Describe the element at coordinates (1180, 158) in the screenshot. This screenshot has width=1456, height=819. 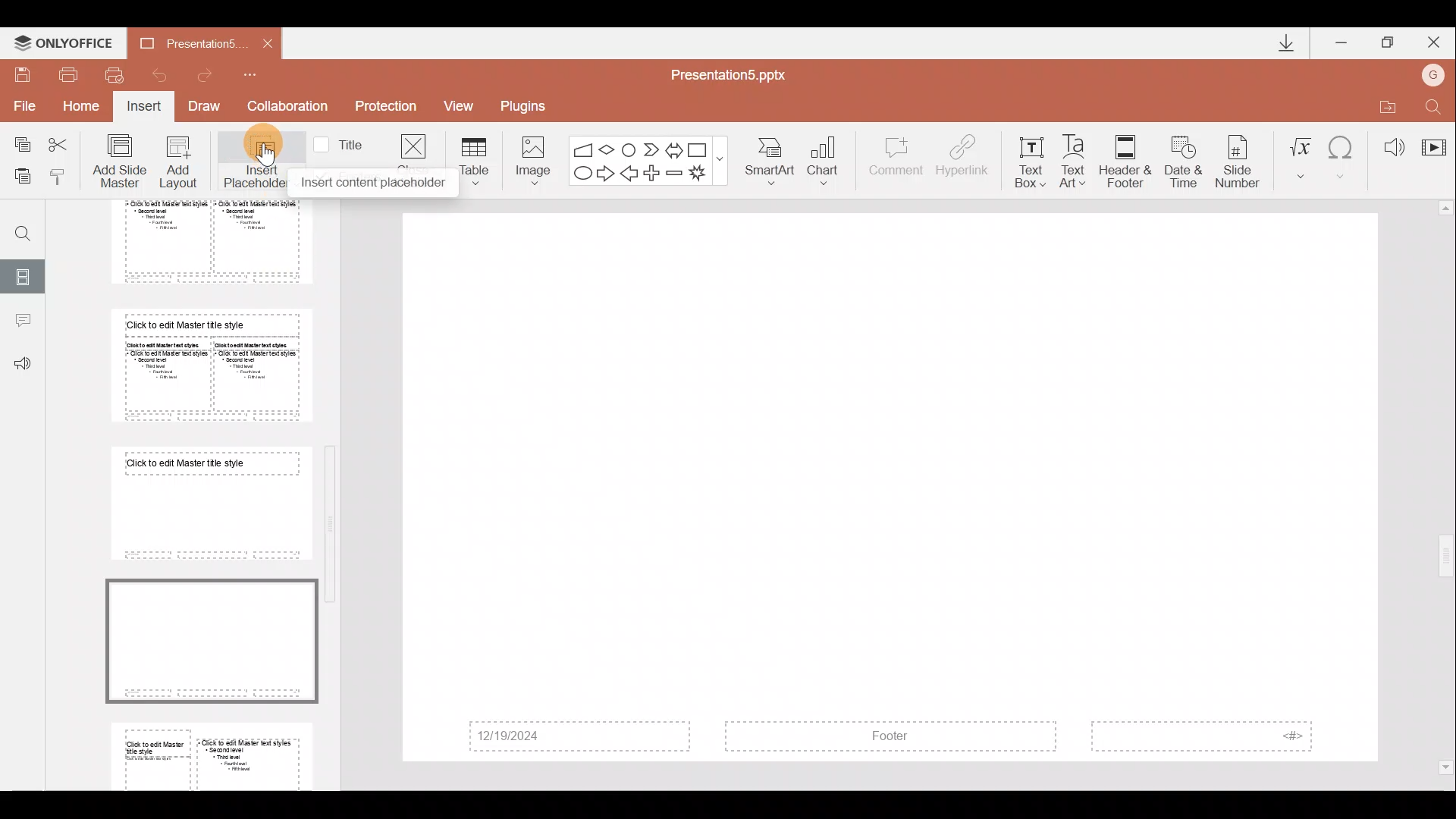
I see `Date & time` at that location.